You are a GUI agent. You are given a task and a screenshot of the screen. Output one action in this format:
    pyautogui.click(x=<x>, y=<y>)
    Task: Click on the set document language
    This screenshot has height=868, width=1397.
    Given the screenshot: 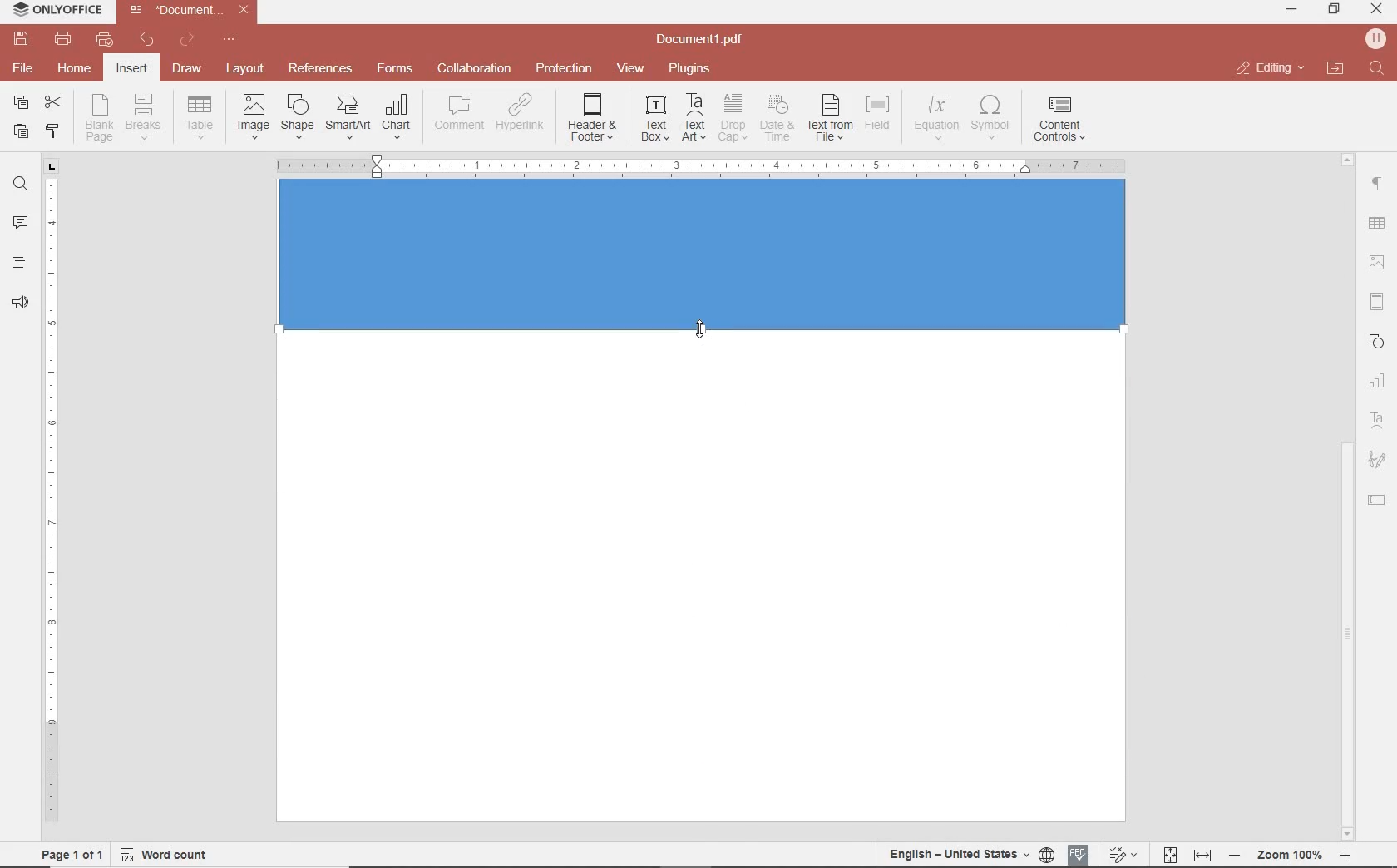 What is the action you would take?
    pyautogui.click(x=970, y=854)
    